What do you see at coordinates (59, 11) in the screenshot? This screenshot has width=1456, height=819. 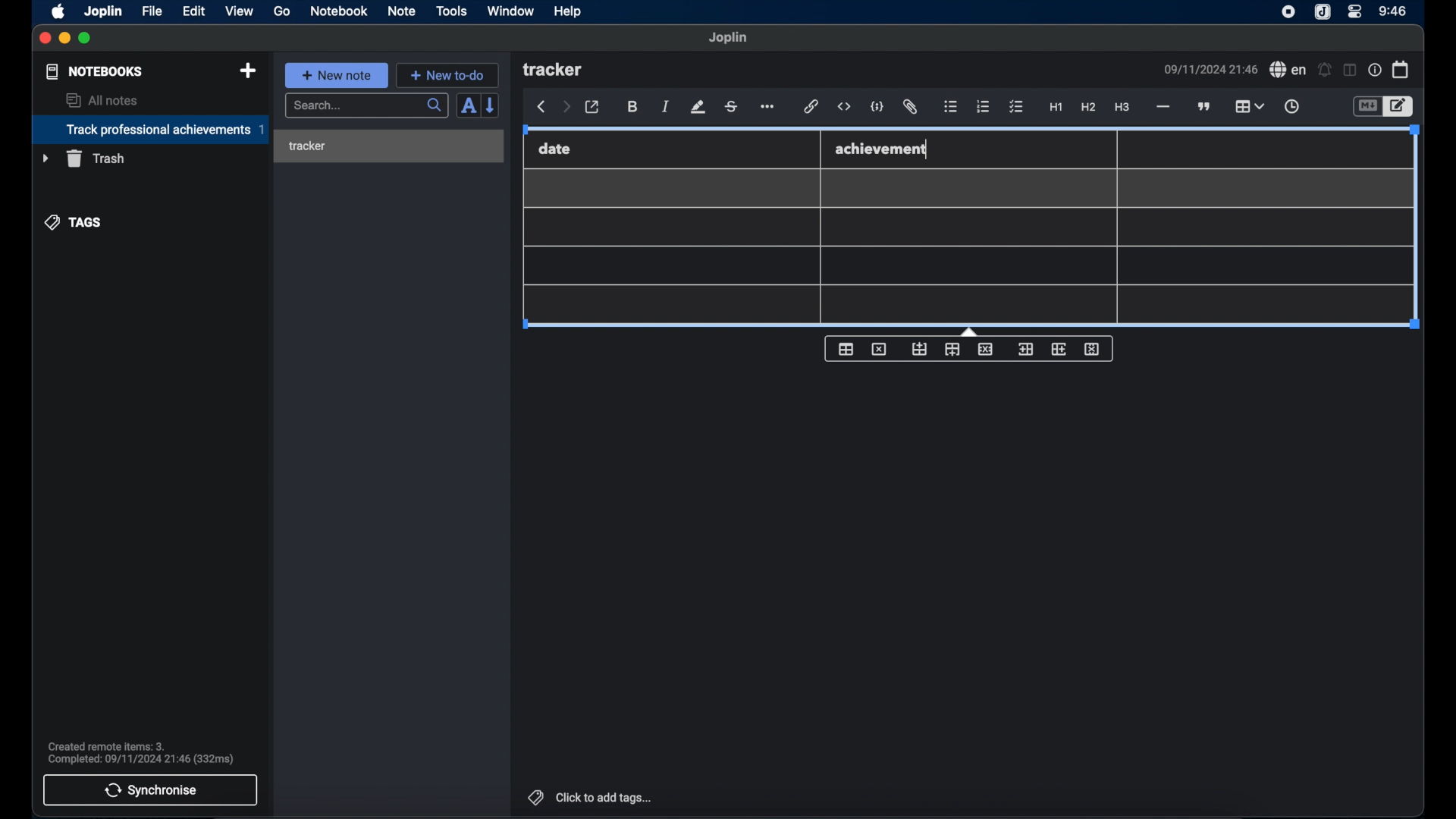 I see `apple icon` at bounding box center [59, 11].